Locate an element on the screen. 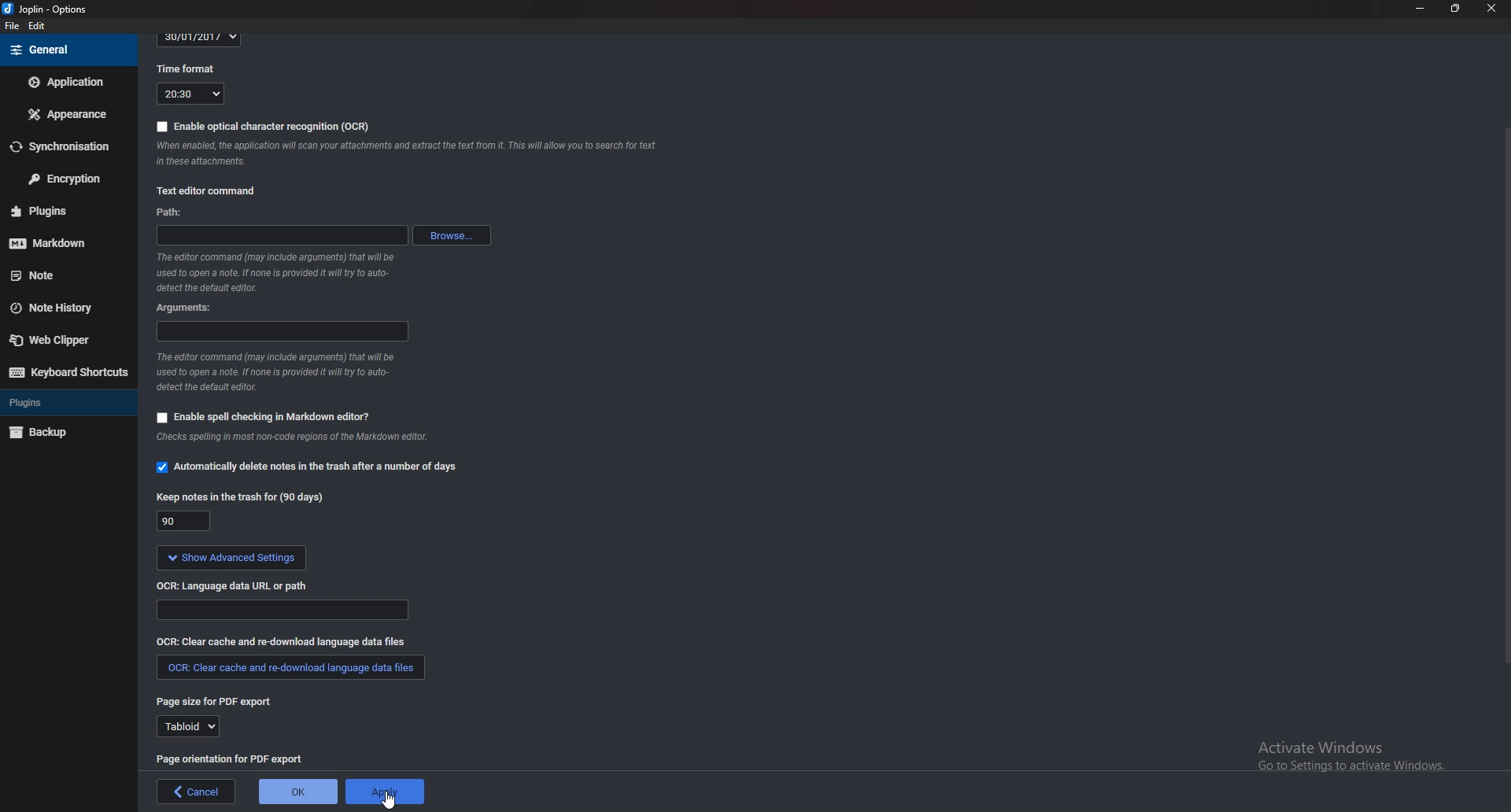 Image resolution: width=1511 pixels, height=812 pixels. ok is located at coordinates (300, 792).